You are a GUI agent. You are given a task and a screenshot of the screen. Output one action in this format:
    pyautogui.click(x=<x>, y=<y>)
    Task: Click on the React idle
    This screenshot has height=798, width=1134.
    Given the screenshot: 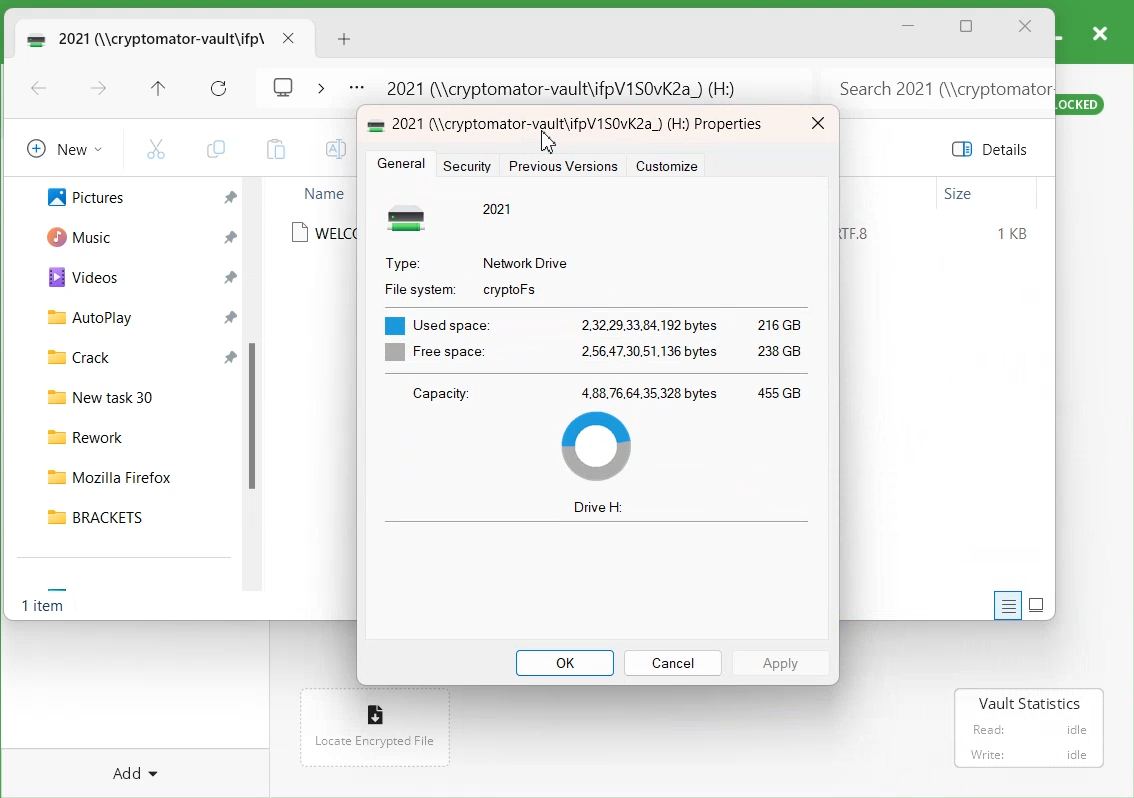 What is the action you would take?
    pyautogui.click(x=1027, y=727)
    